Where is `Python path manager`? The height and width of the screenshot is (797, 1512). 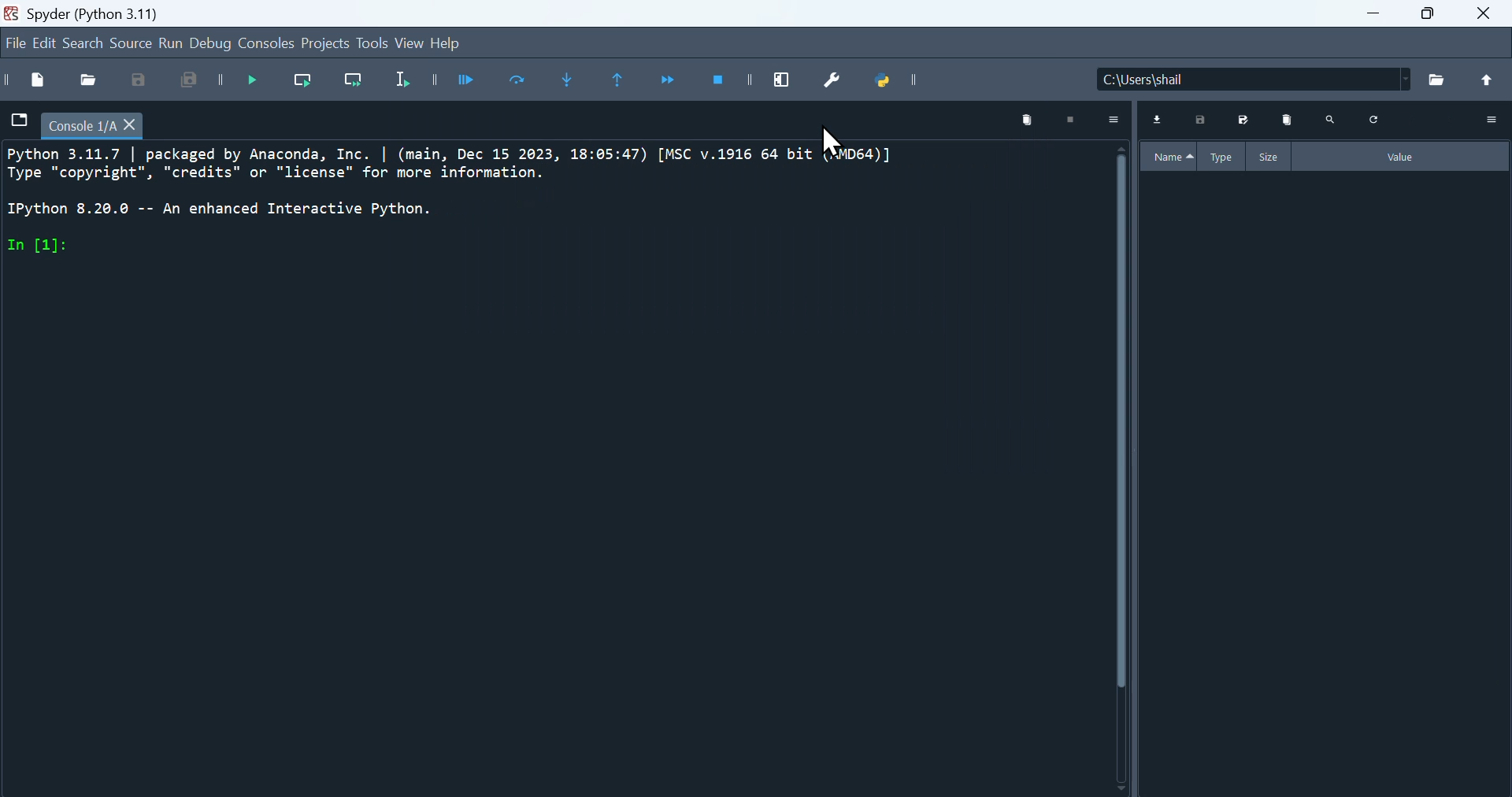
Python path manager is located at coordinates (897, 85).